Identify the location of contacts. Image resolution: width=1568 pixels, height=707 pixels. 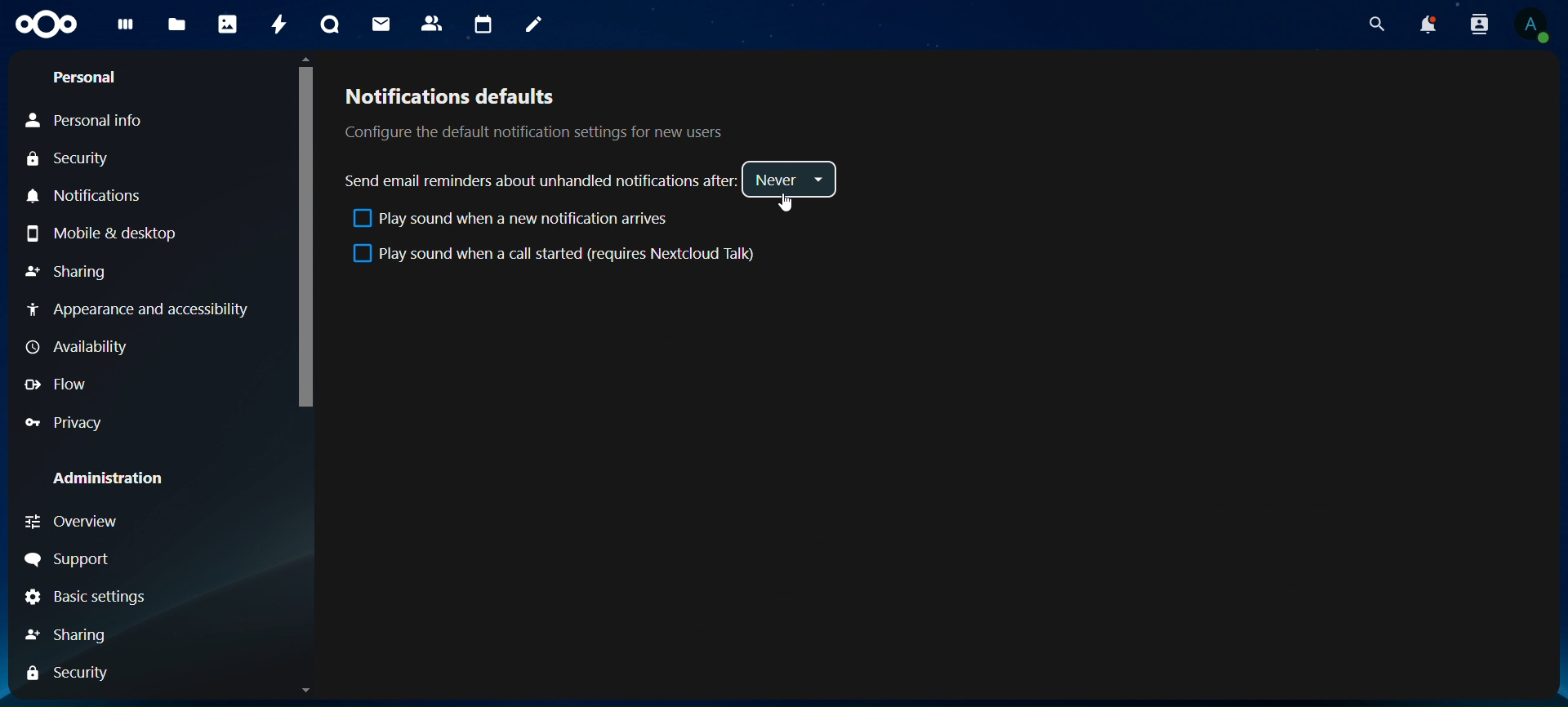
(432, 23).